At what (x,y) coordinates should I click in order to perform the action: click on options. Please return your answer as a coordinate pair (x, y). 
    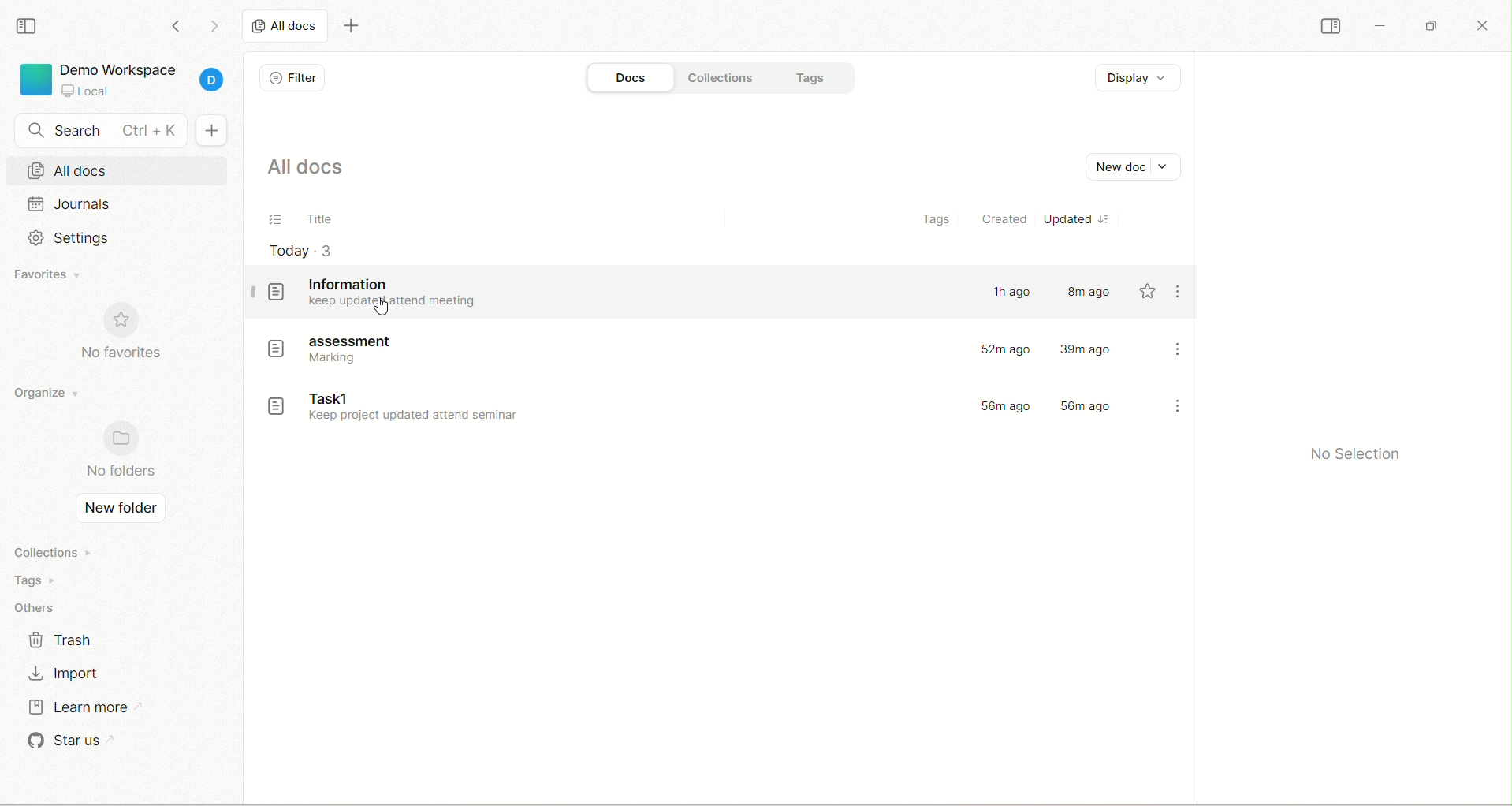
    Looking at the image, I should click on (1178, 292).